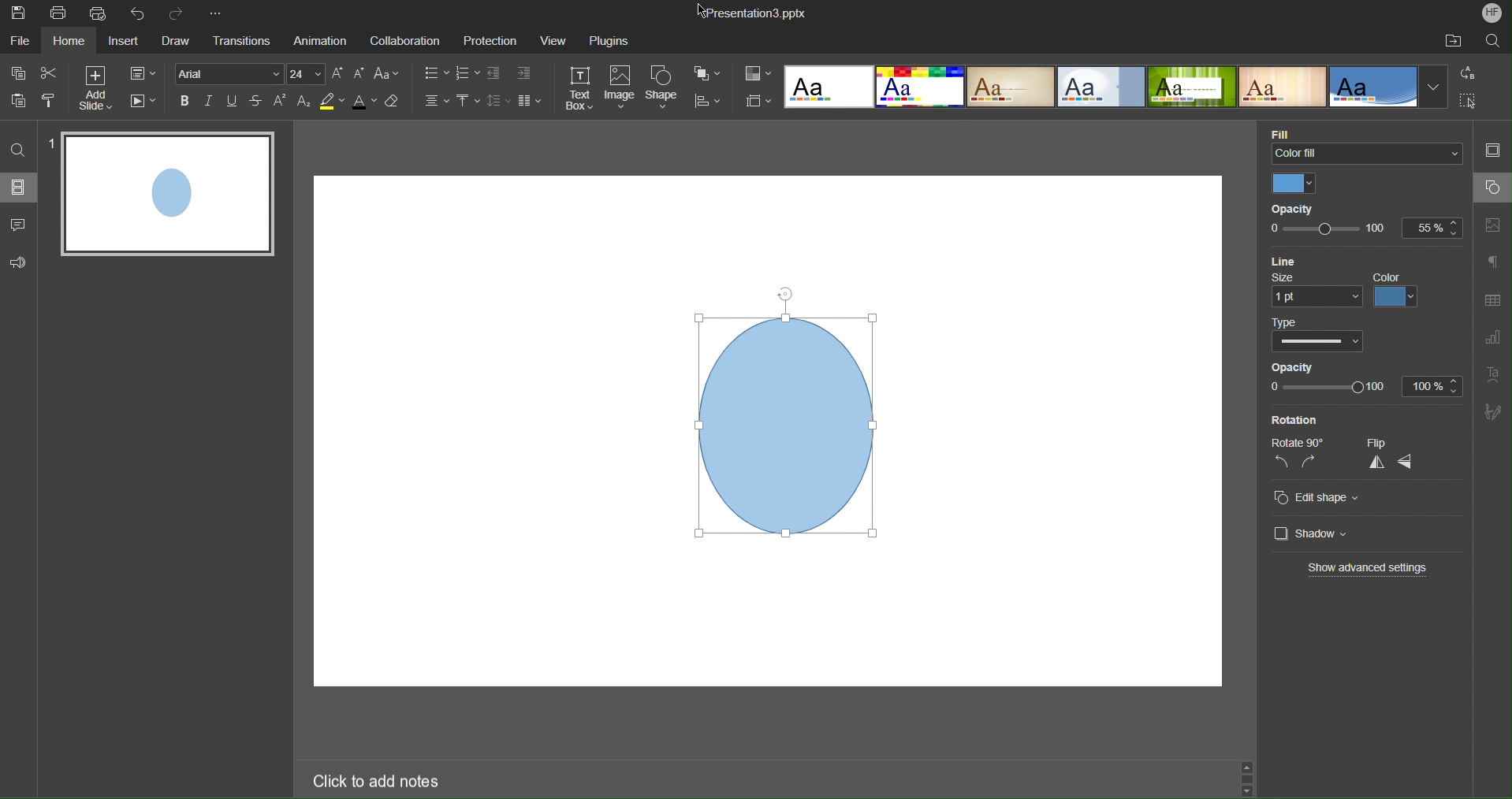 This screenshot has height=799, width=1512. Describe the element at coordinates (623, 88) in the screenshot. I see `Image` at that location.